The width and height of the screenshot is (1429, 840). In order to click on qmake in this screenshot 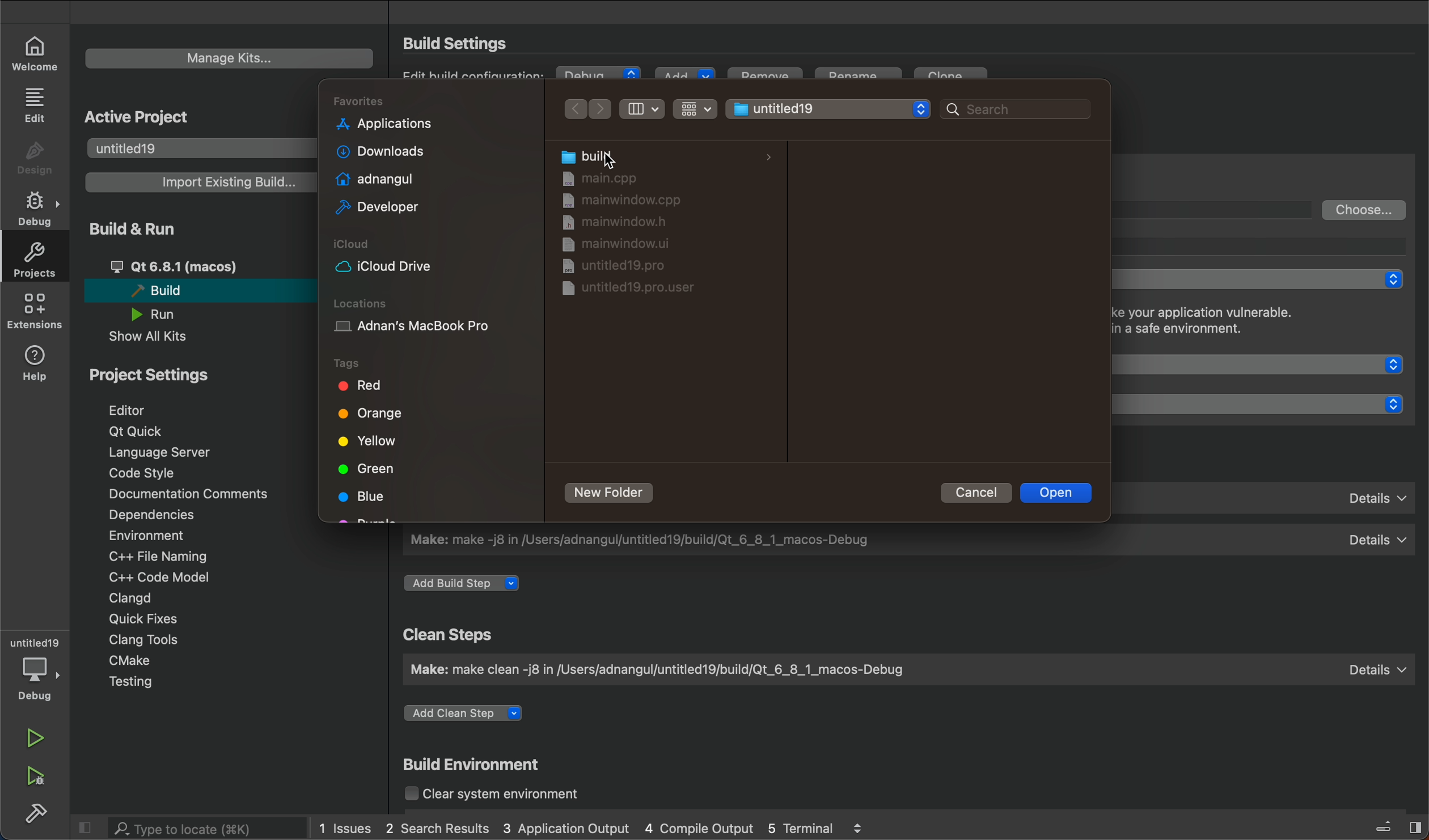, I will do `click(1270, 495)`.